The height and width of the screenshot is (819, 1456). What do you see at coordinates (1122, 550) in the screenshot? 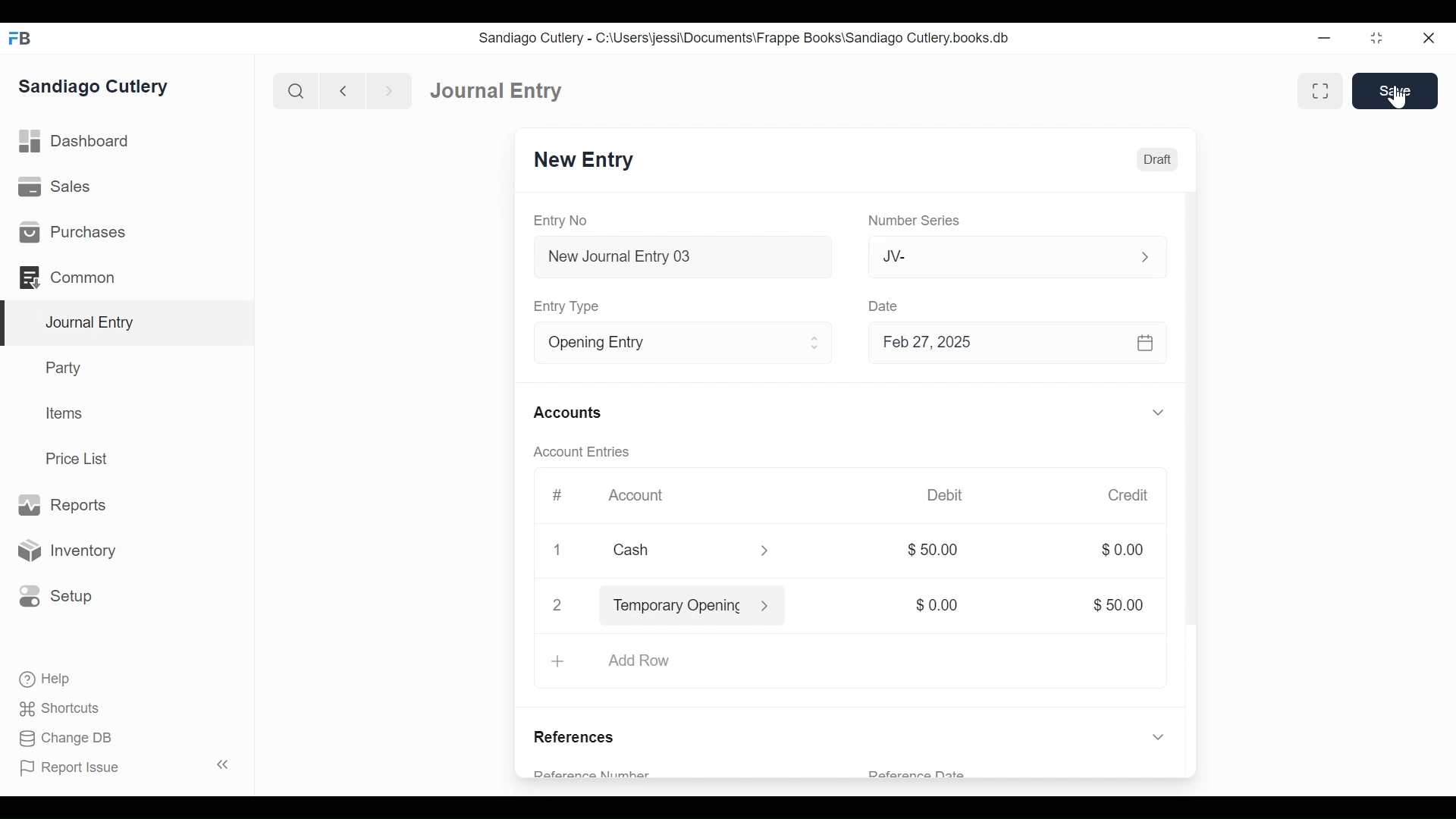
I see `$0.00` at bounding box center [1122, 550].